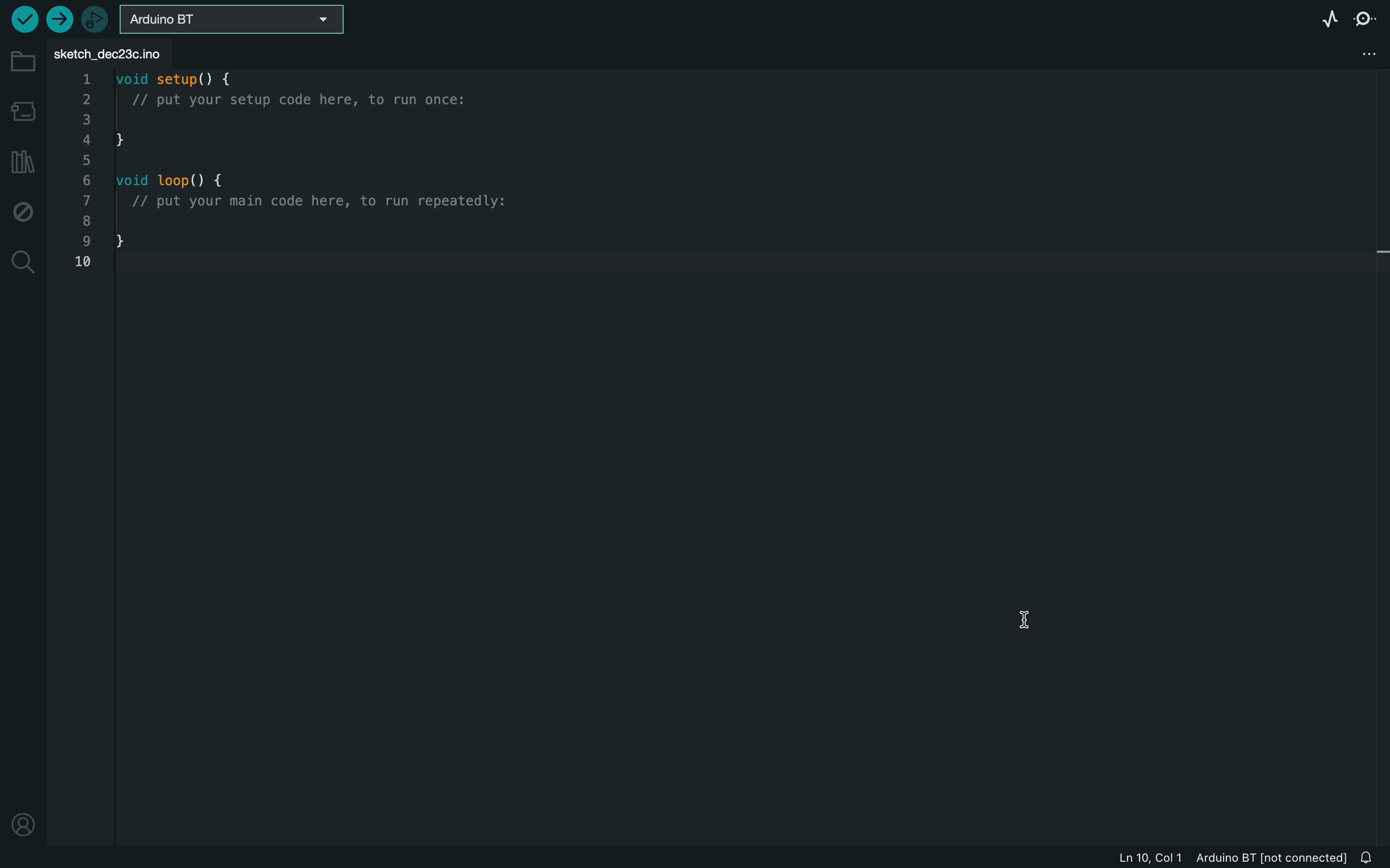 The height and width of the screenshot is (868, 1390). I want to click on serial monitor, so click(1366, 17).